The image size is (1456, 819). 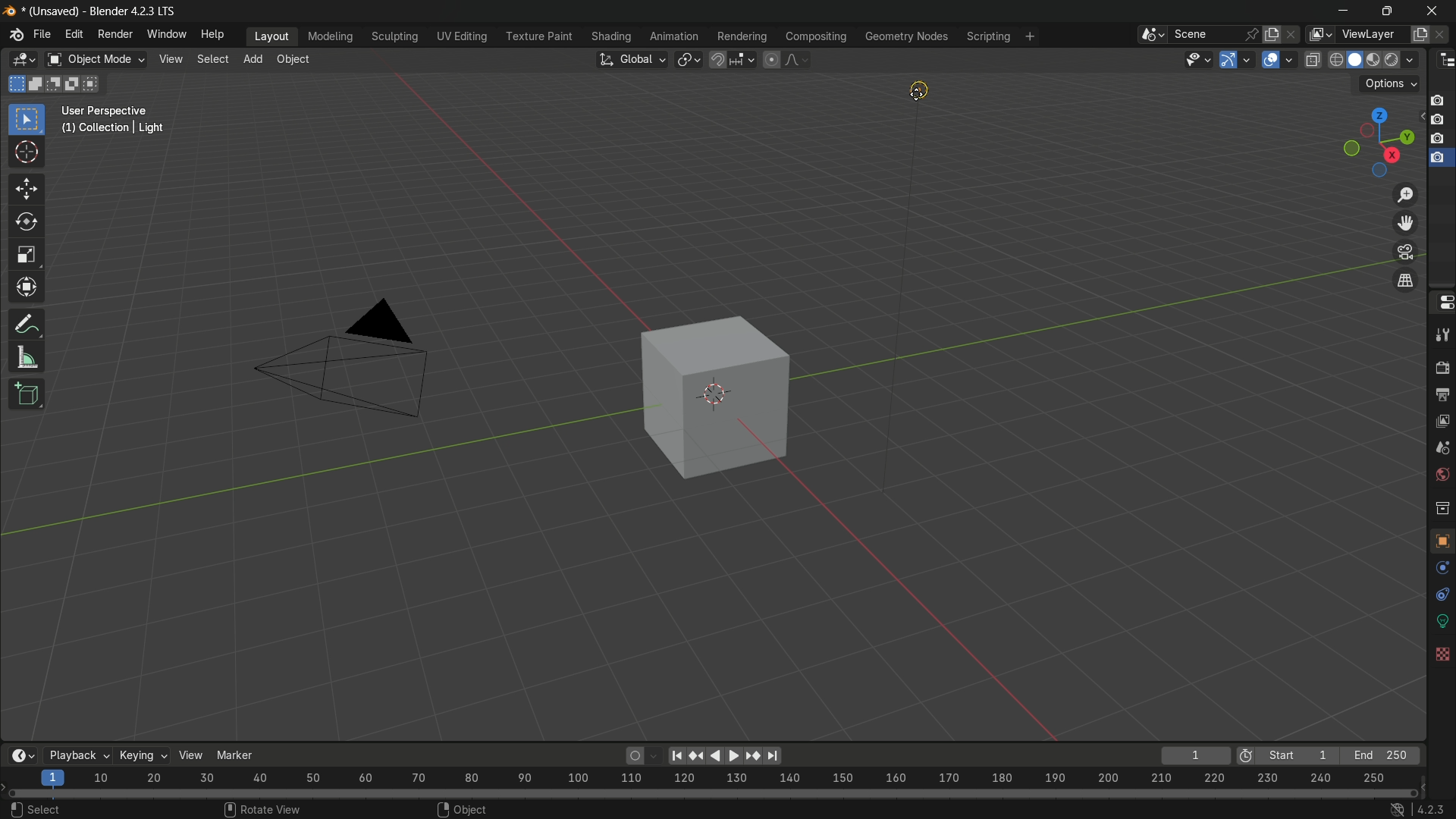 I want to click on snap, so click(x=731, y=60).